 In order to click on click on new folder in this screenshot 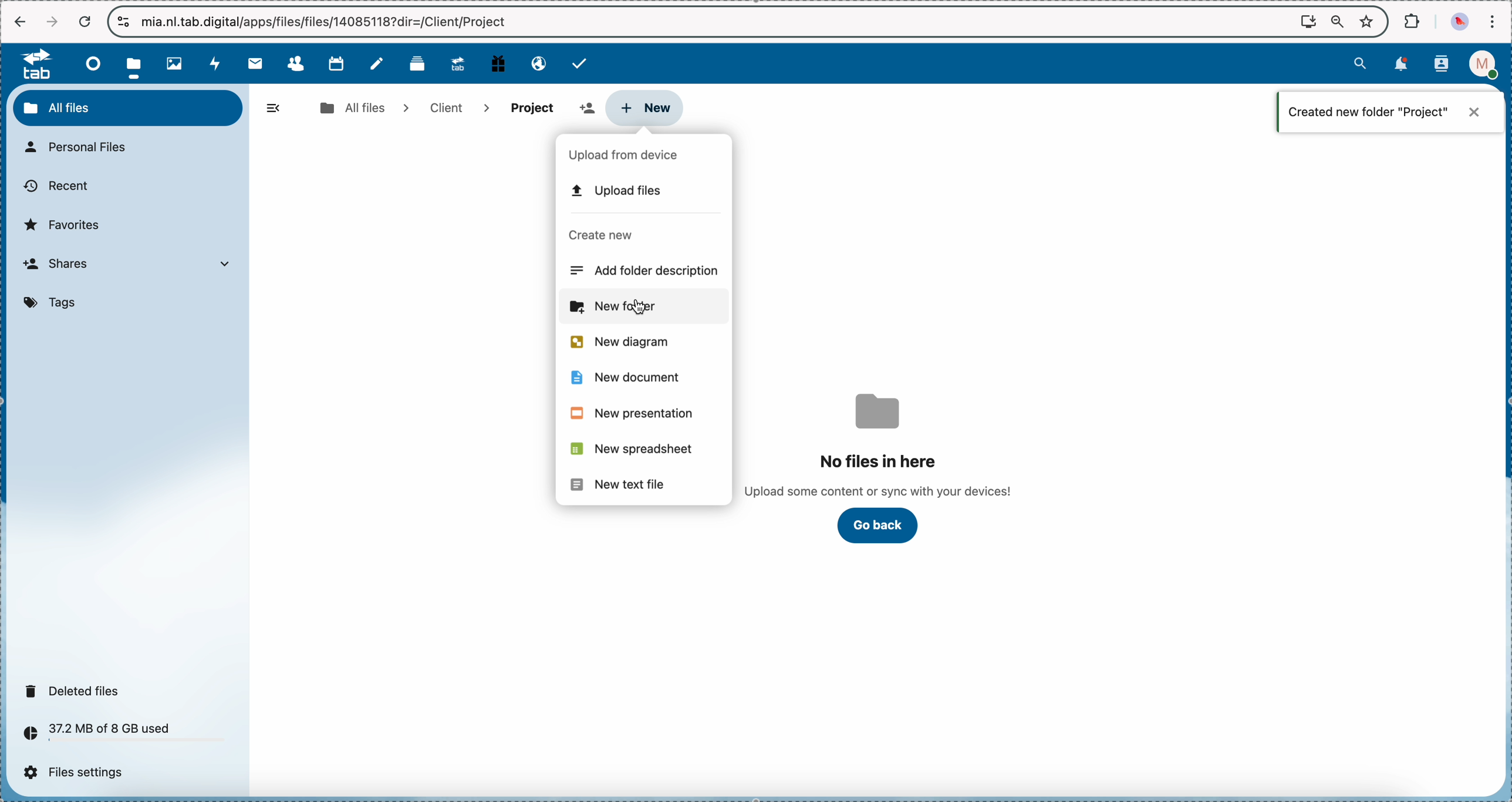, I will do `click(646, 309)`.